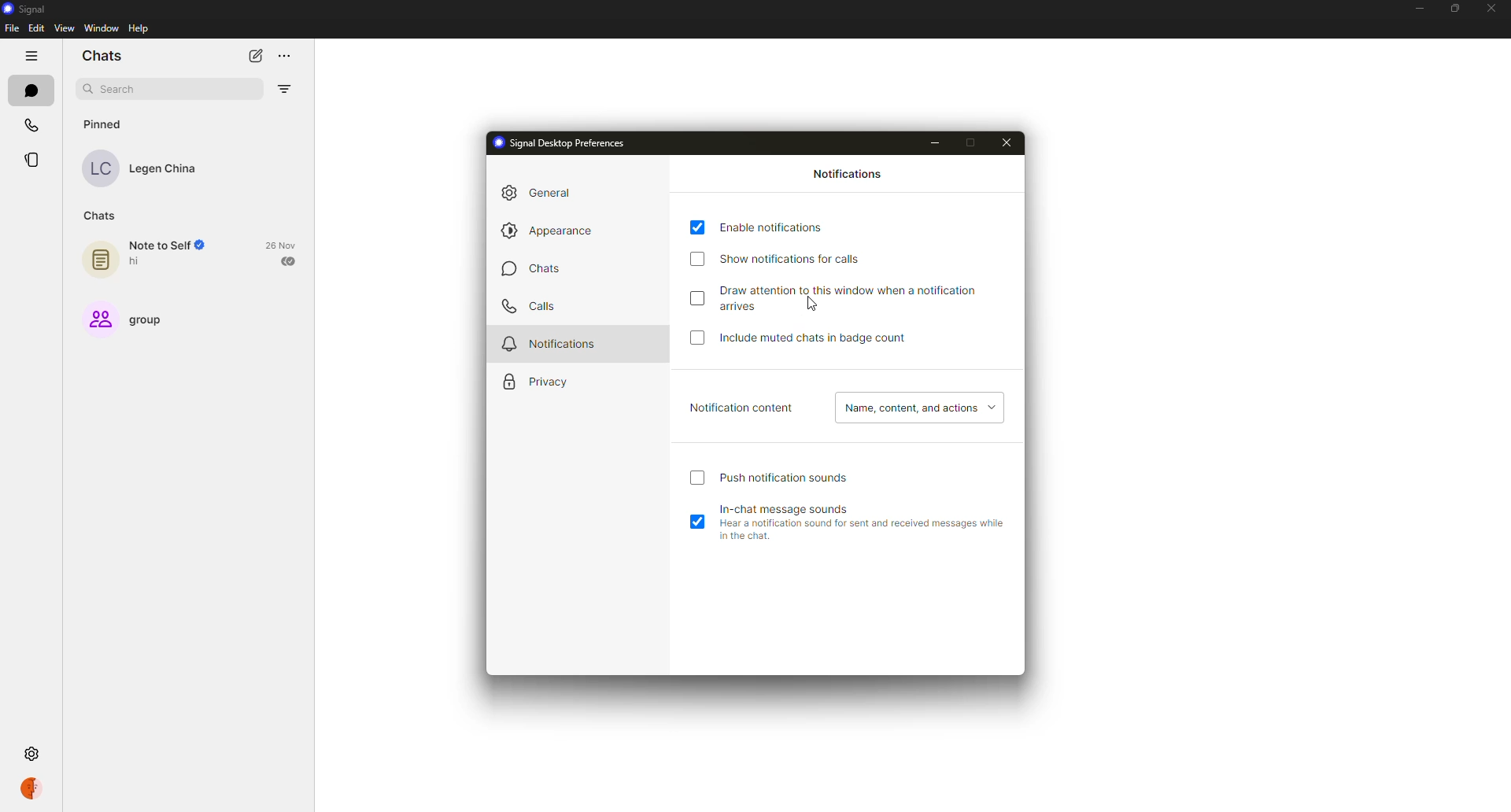 This screenshot has height=812, width=1511. I want to click on calls, so click(33, 124).